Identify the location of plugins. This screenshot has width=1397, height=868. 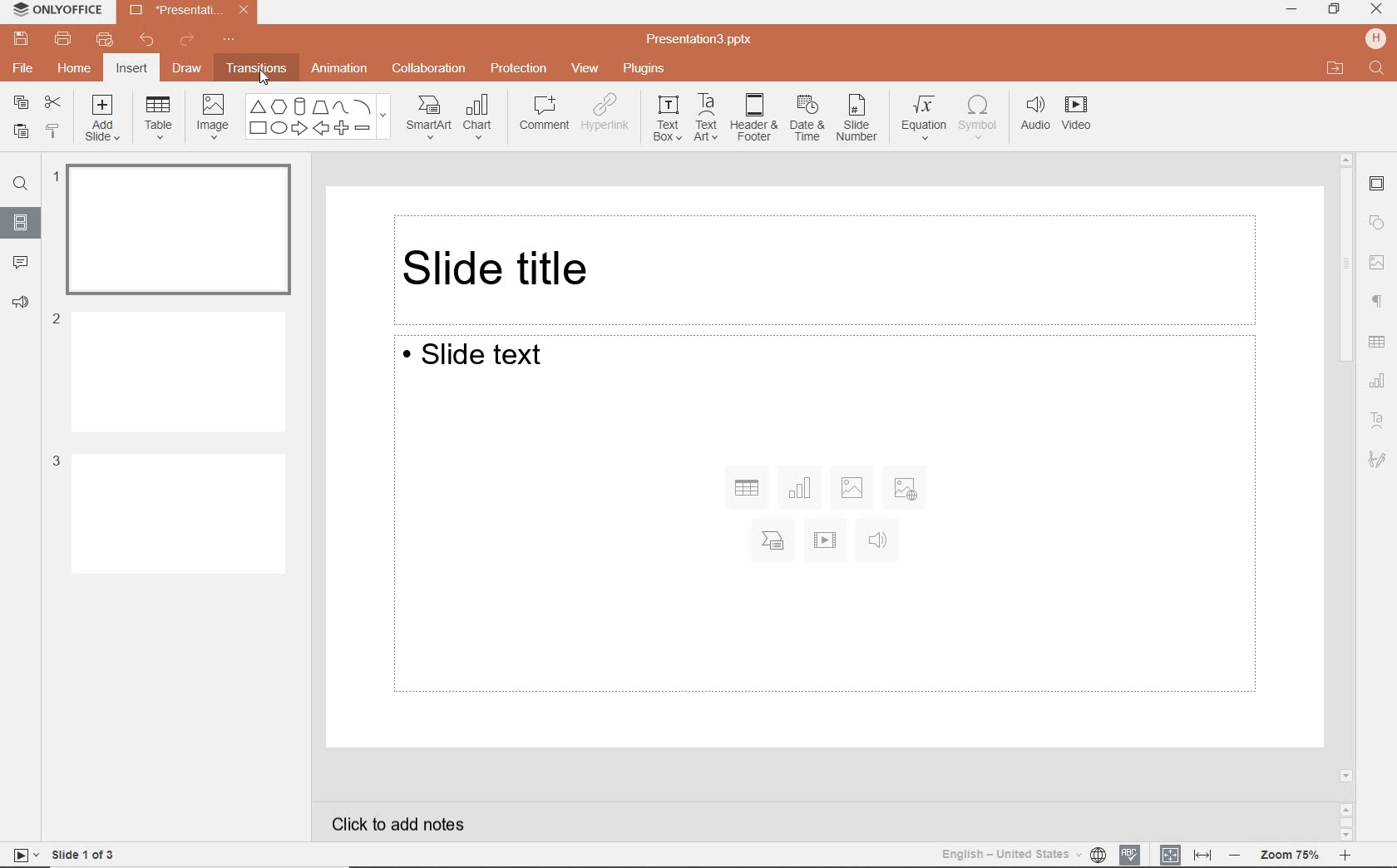
(649, 70).